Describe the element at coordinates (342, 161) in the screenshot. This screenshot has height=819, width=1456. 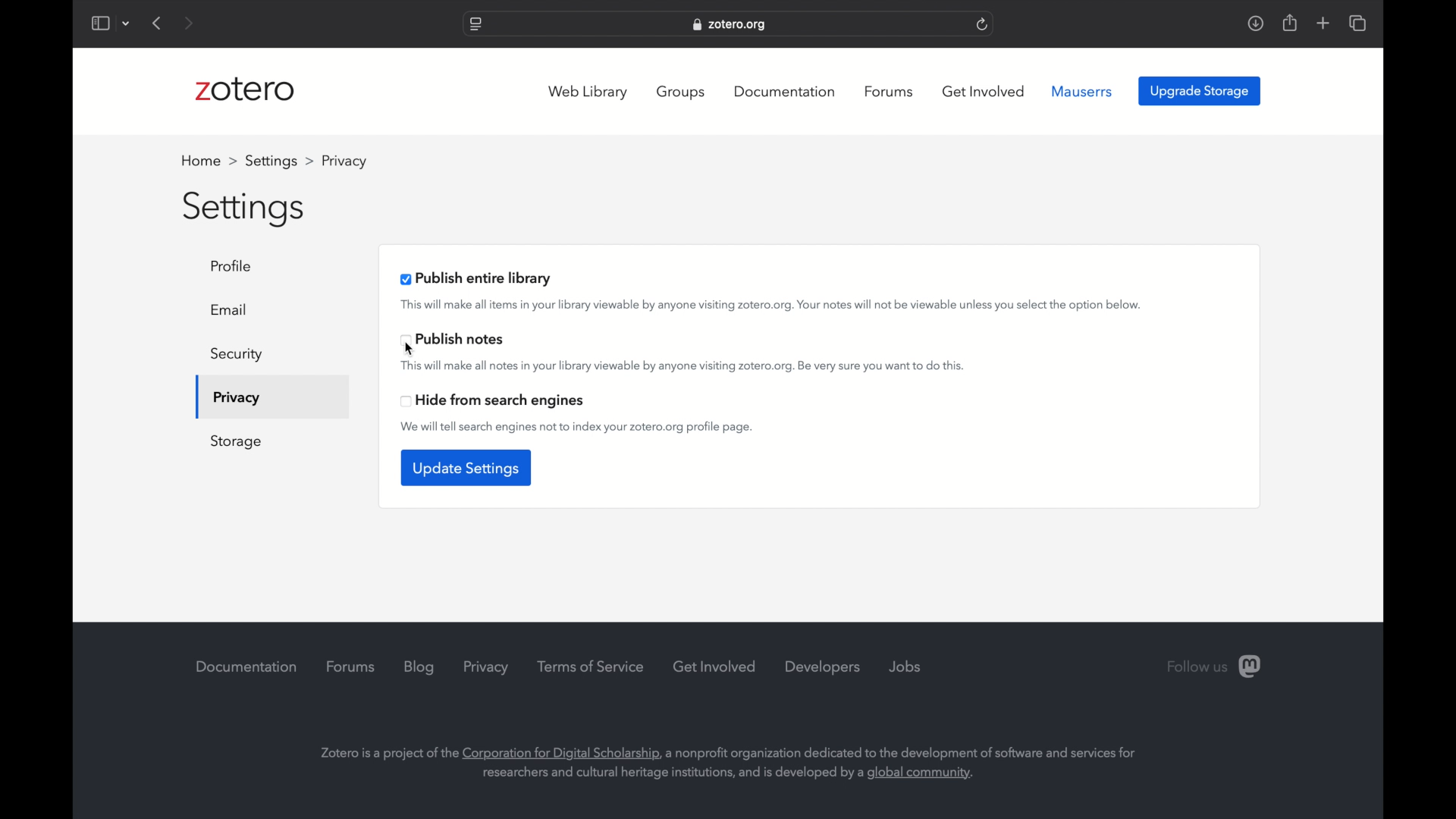
I see `profile` at that location.